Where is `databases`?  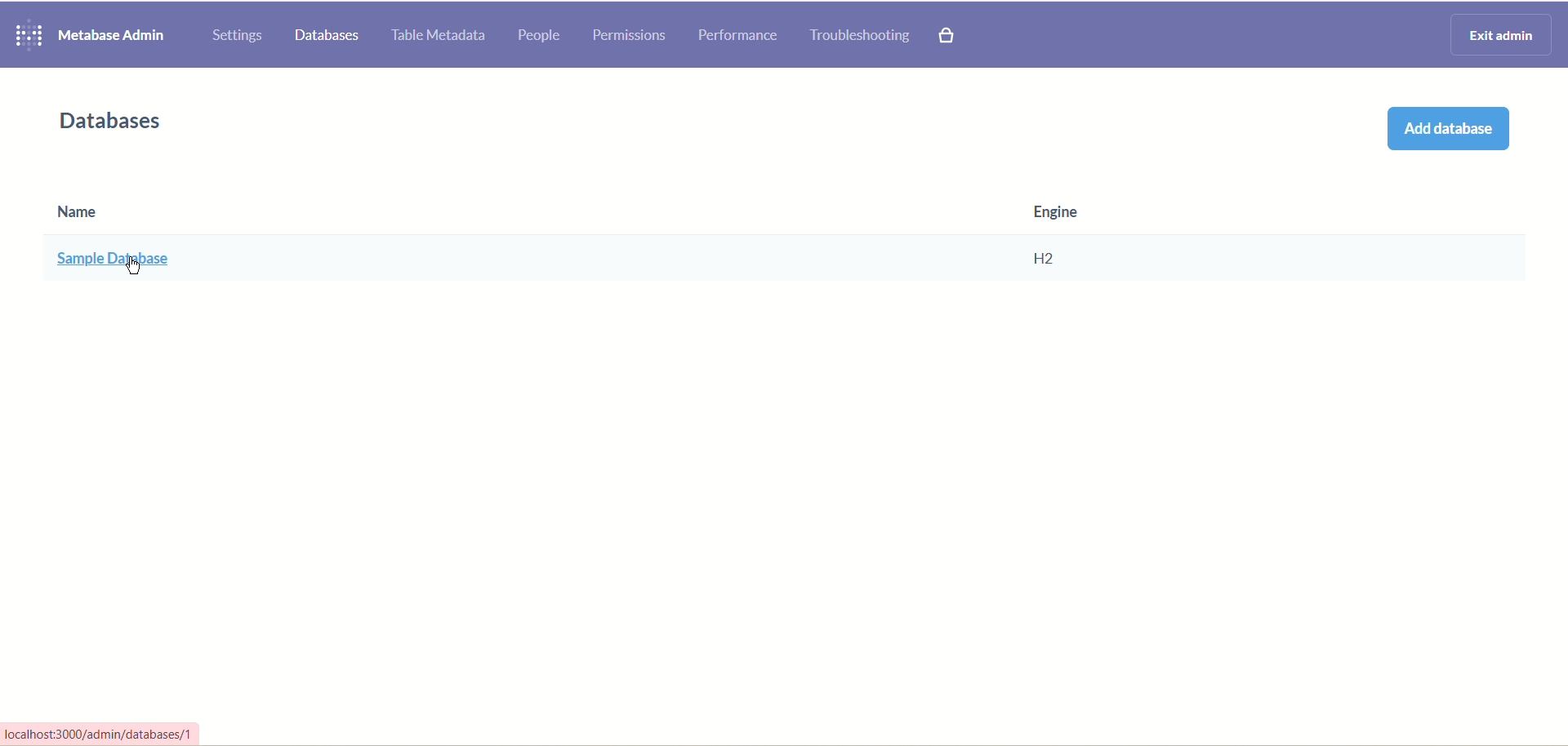
databases is located at coordinates (327, 37).